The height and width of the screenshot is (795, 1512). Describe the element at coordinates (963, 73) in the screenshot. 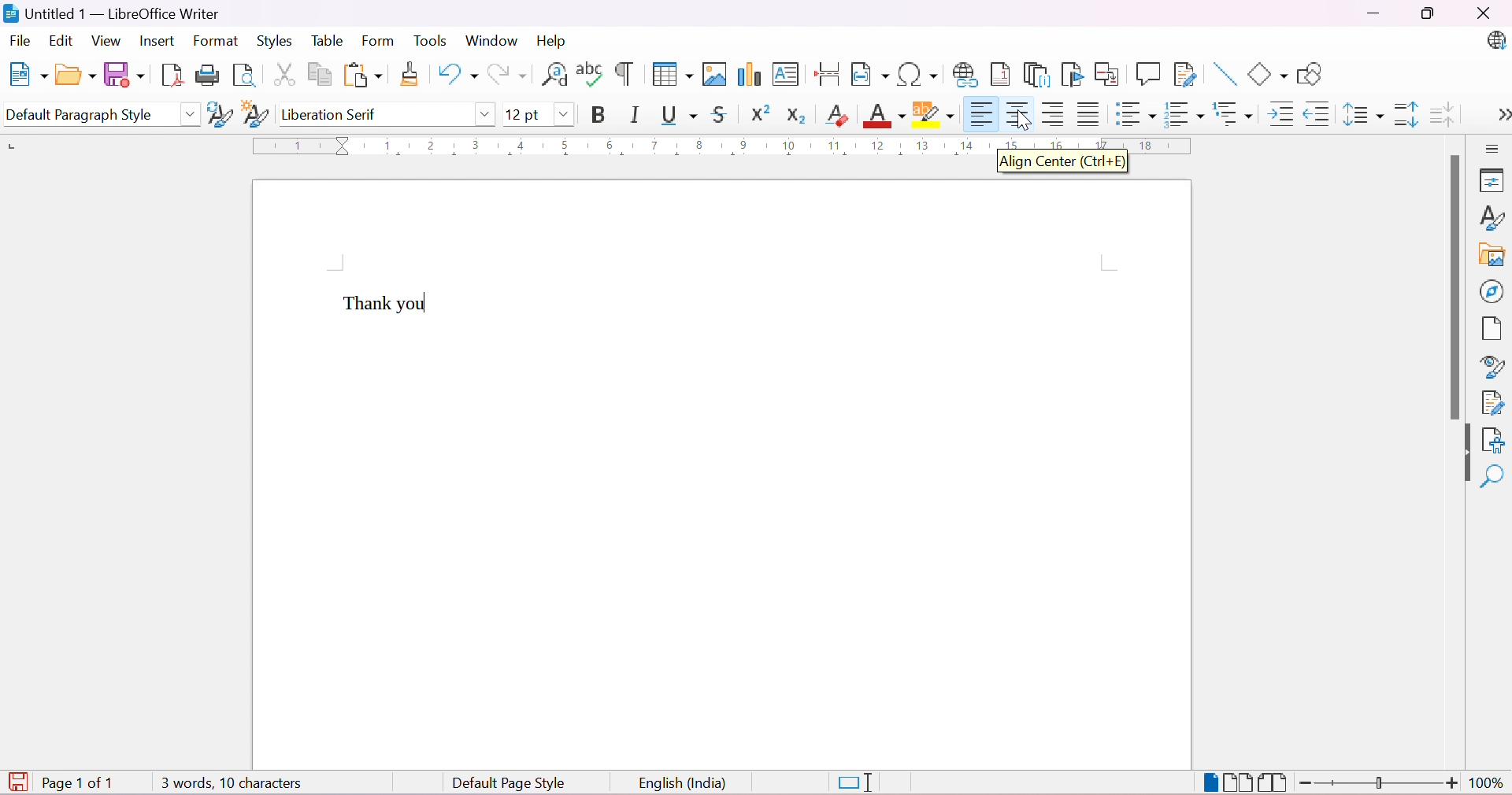

I see `Insert Hyperlink` at that location.